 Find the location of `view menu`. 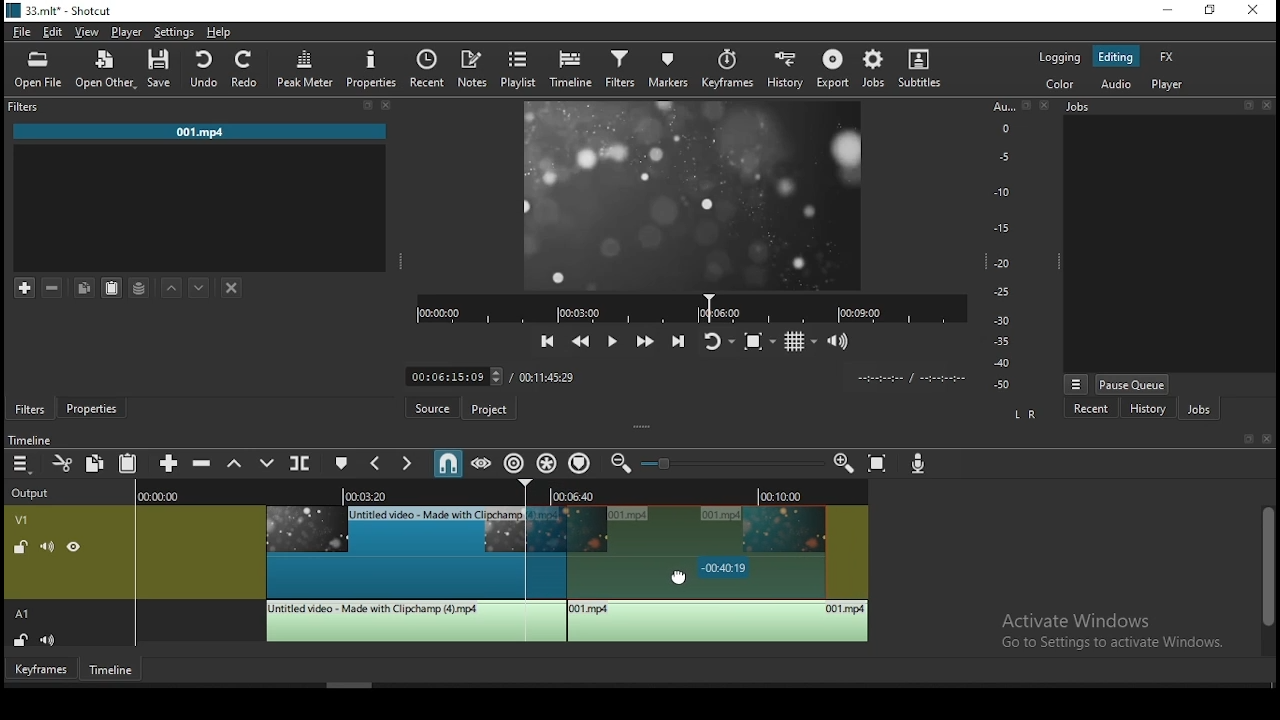

view menu is located at coordinates (1076, 381).